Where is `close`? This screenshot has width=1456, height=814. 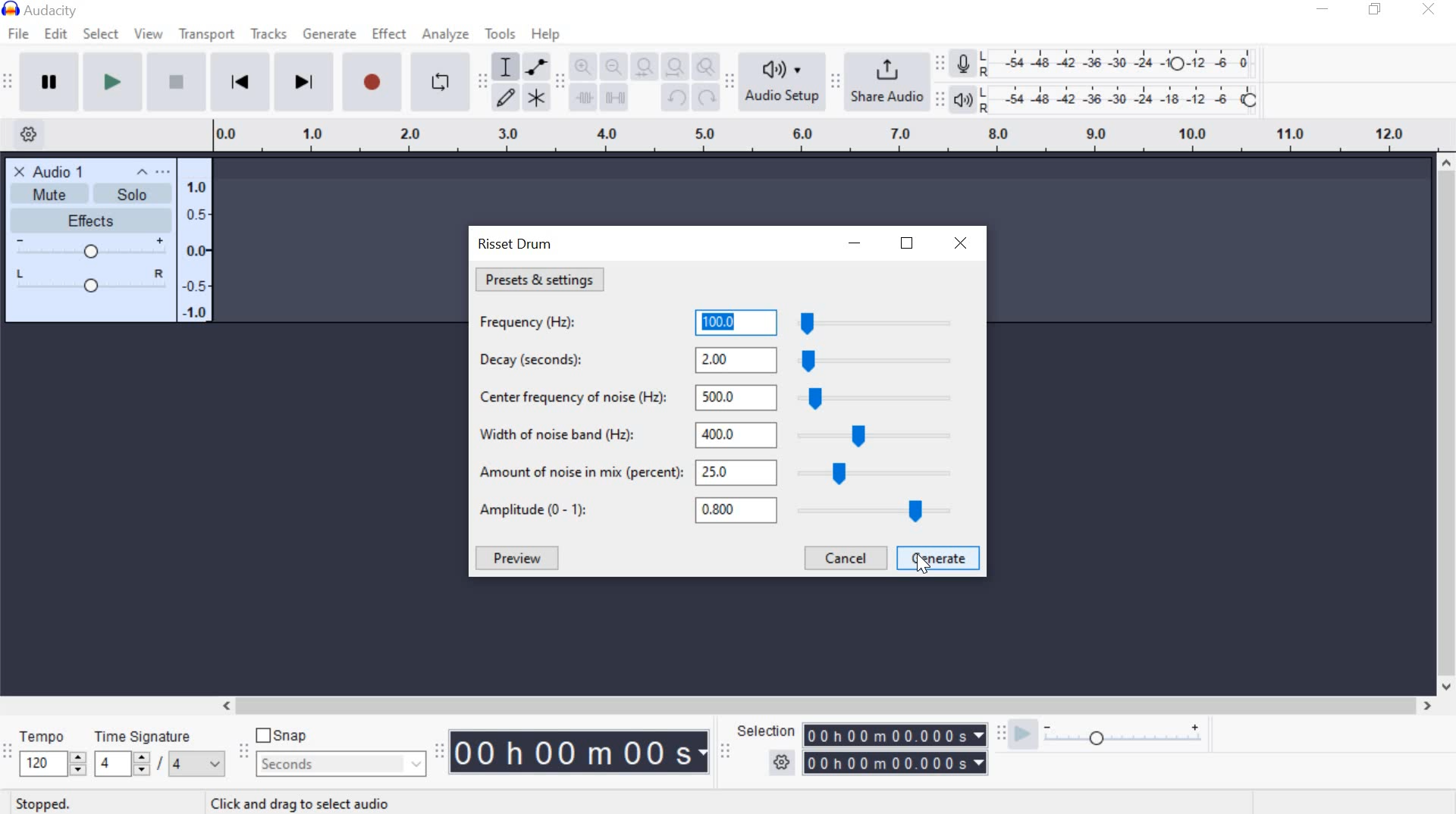 close is located at coordinates (18, 171).